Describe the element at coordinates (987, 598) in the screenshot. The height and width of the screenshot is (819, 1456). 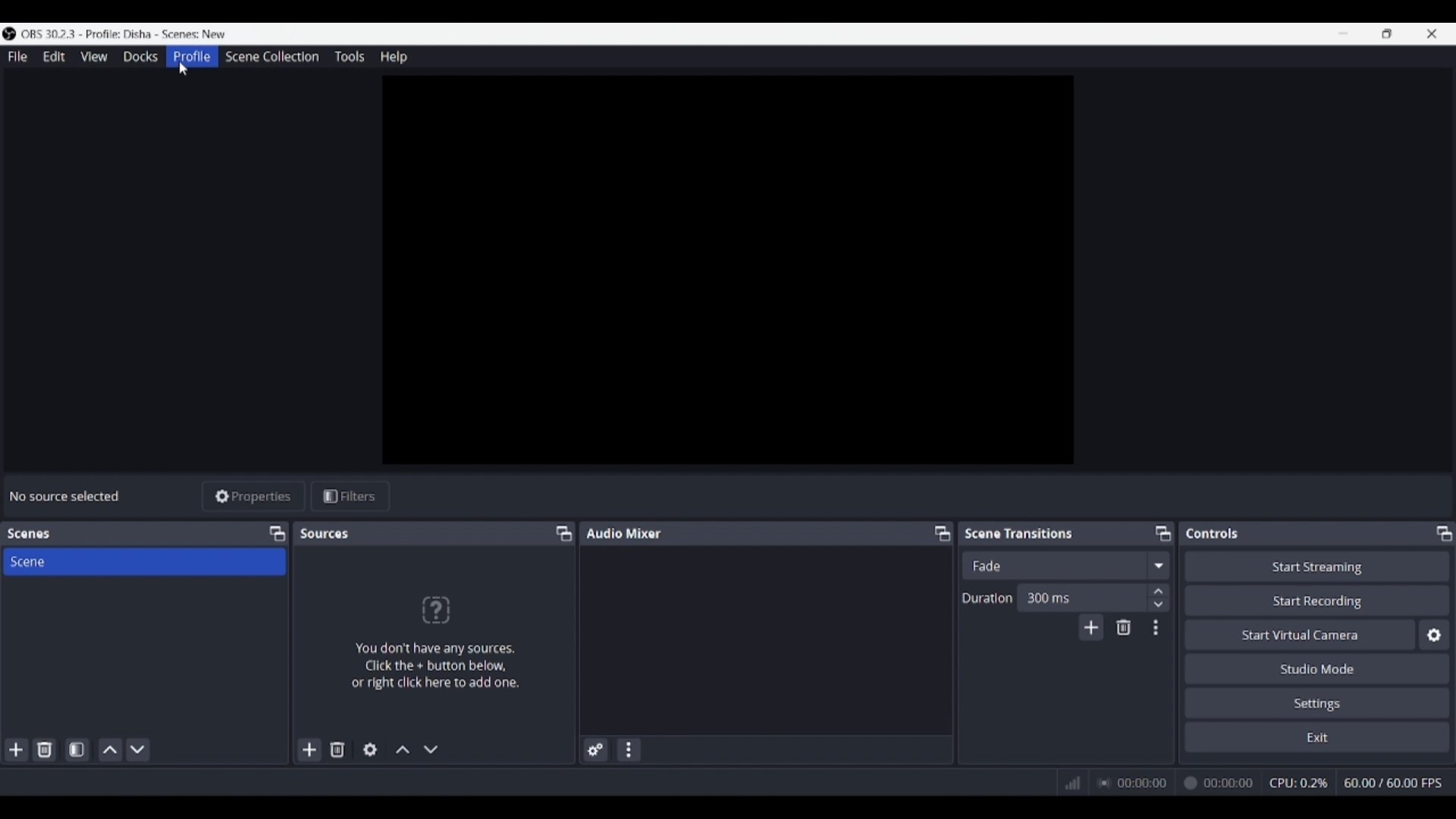
I see `Indicates duration` at that location.